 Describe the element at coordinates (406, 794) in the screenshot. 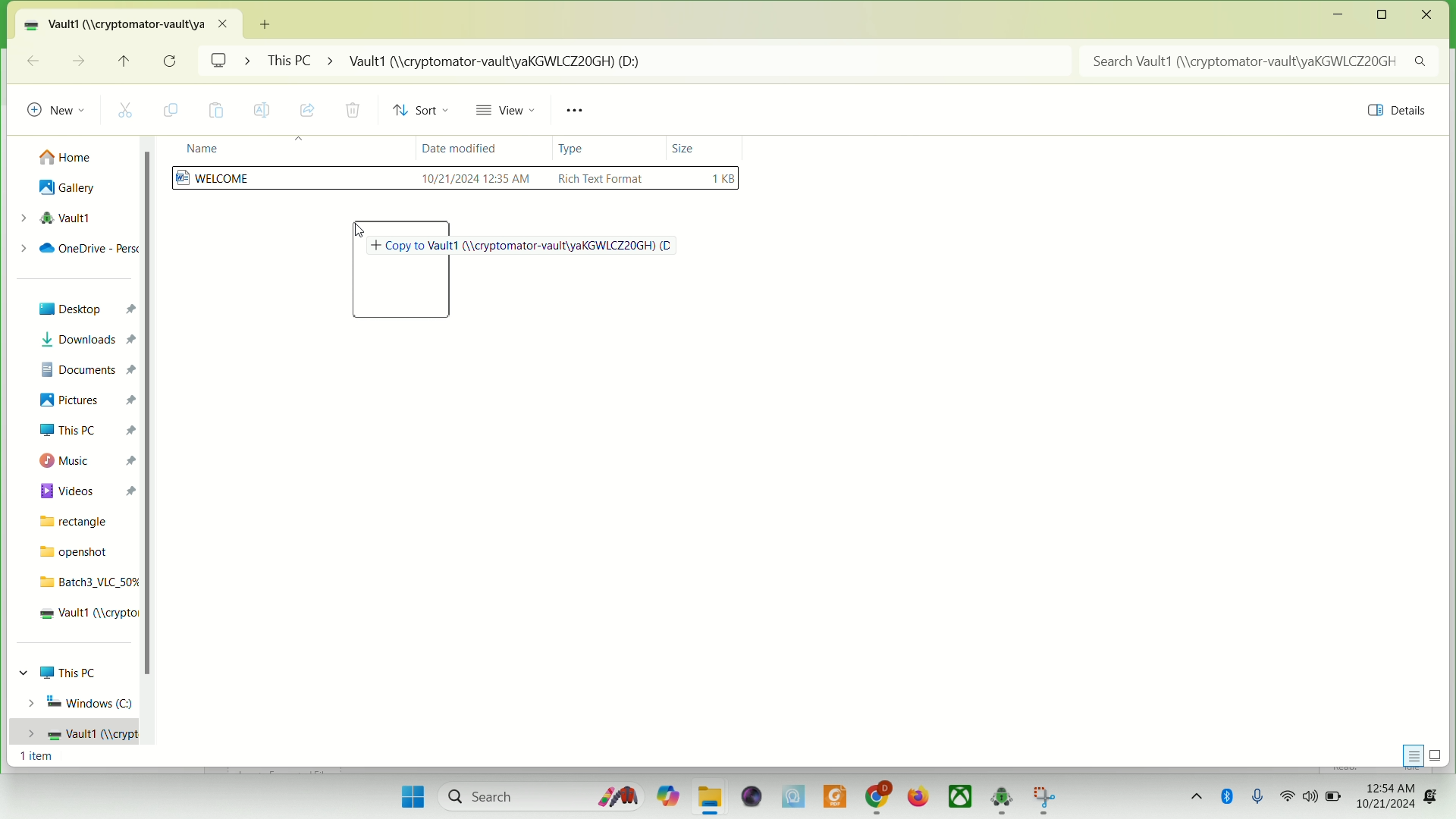

I see `start` at that location.